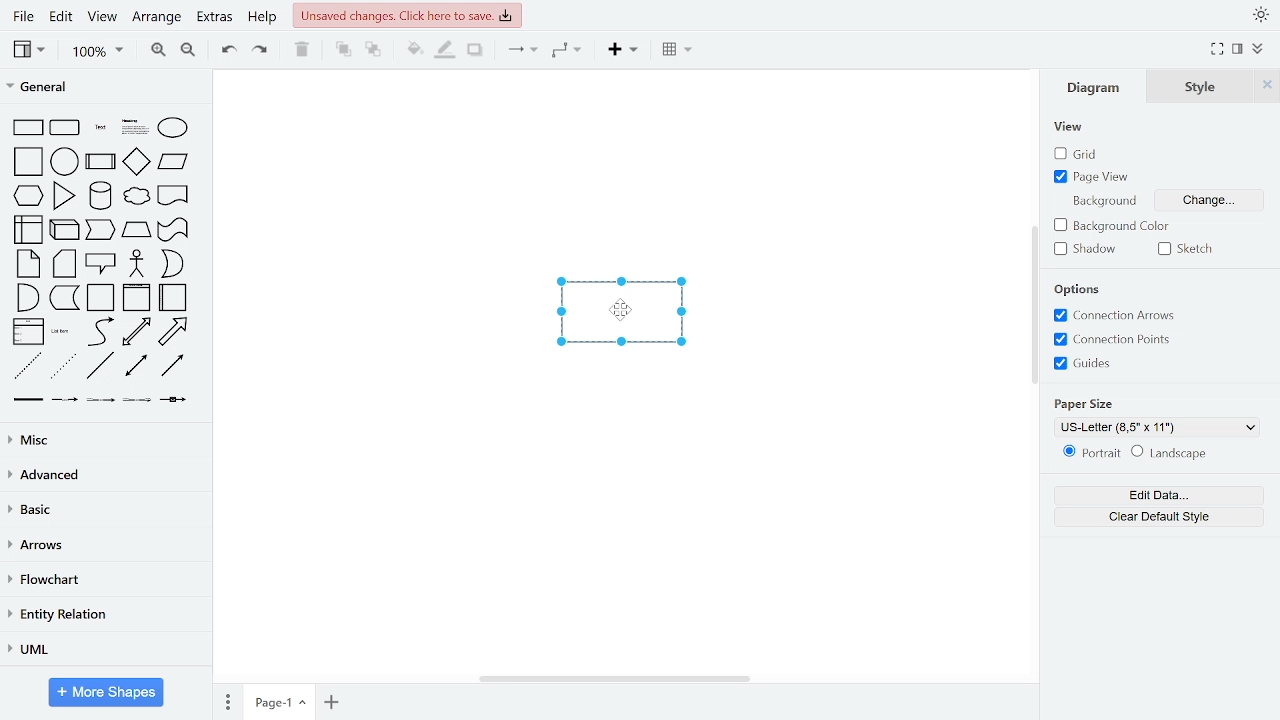 The width and height of the screenshot is (1280, 720). Describe the element at coordinates (63, 331) in the screenshot. I see `general shapes` at that location.